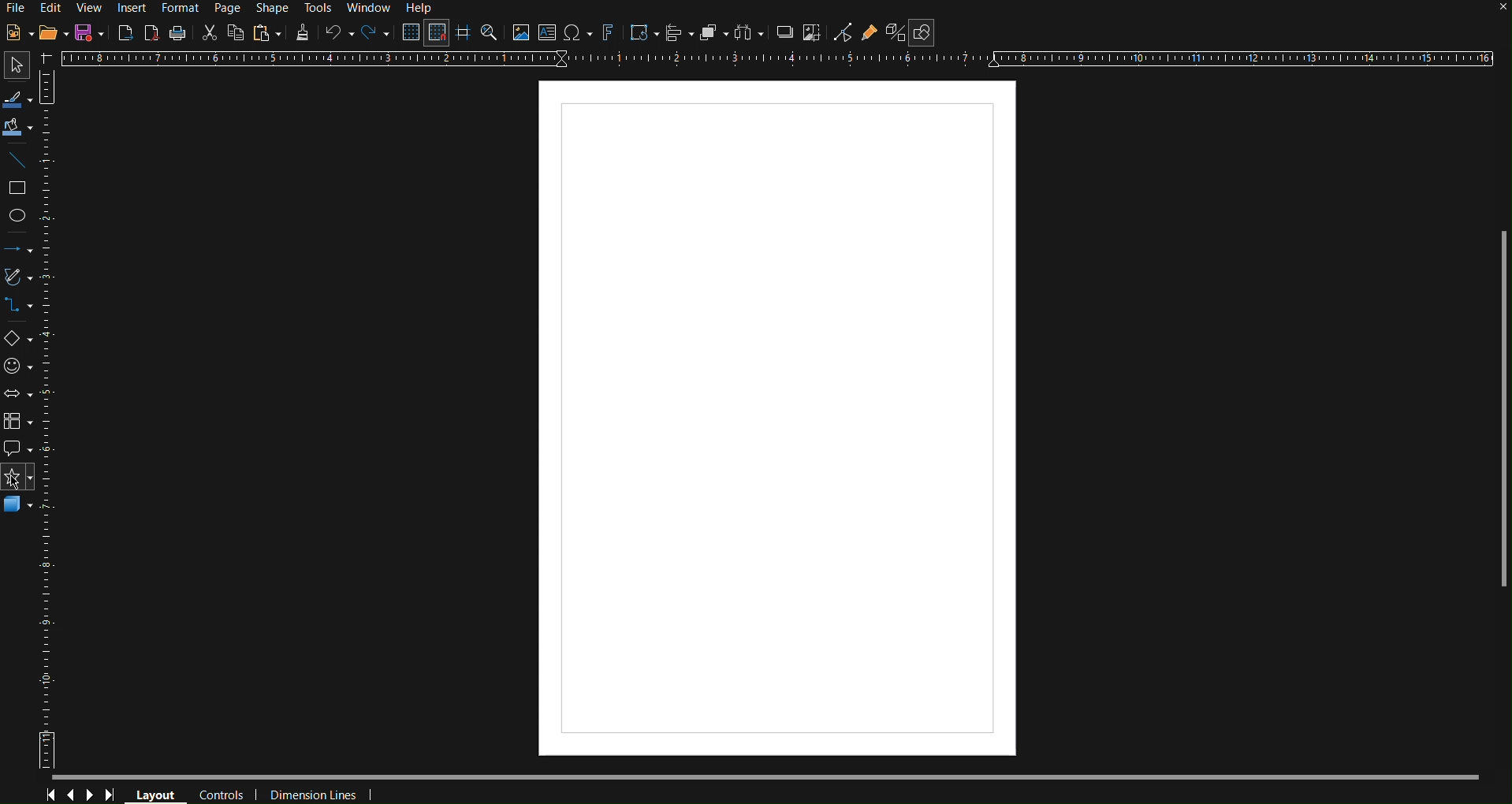 The height and width of the screenshot is (804, 1512). Describe the element at coordinates (20, 311) in the screenshot. I see `Connector` at that location.